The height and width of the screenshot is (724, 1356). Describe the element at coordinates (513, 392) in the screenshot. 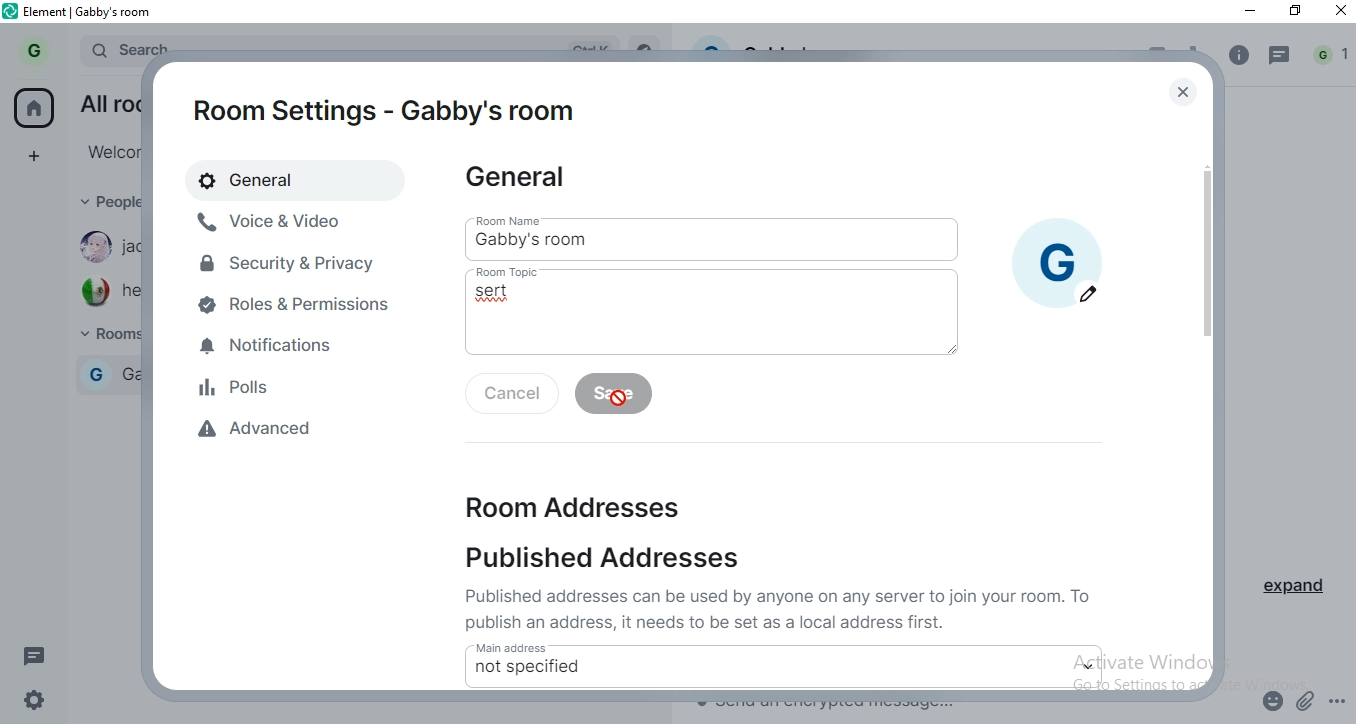

I see `cancel` at that location.